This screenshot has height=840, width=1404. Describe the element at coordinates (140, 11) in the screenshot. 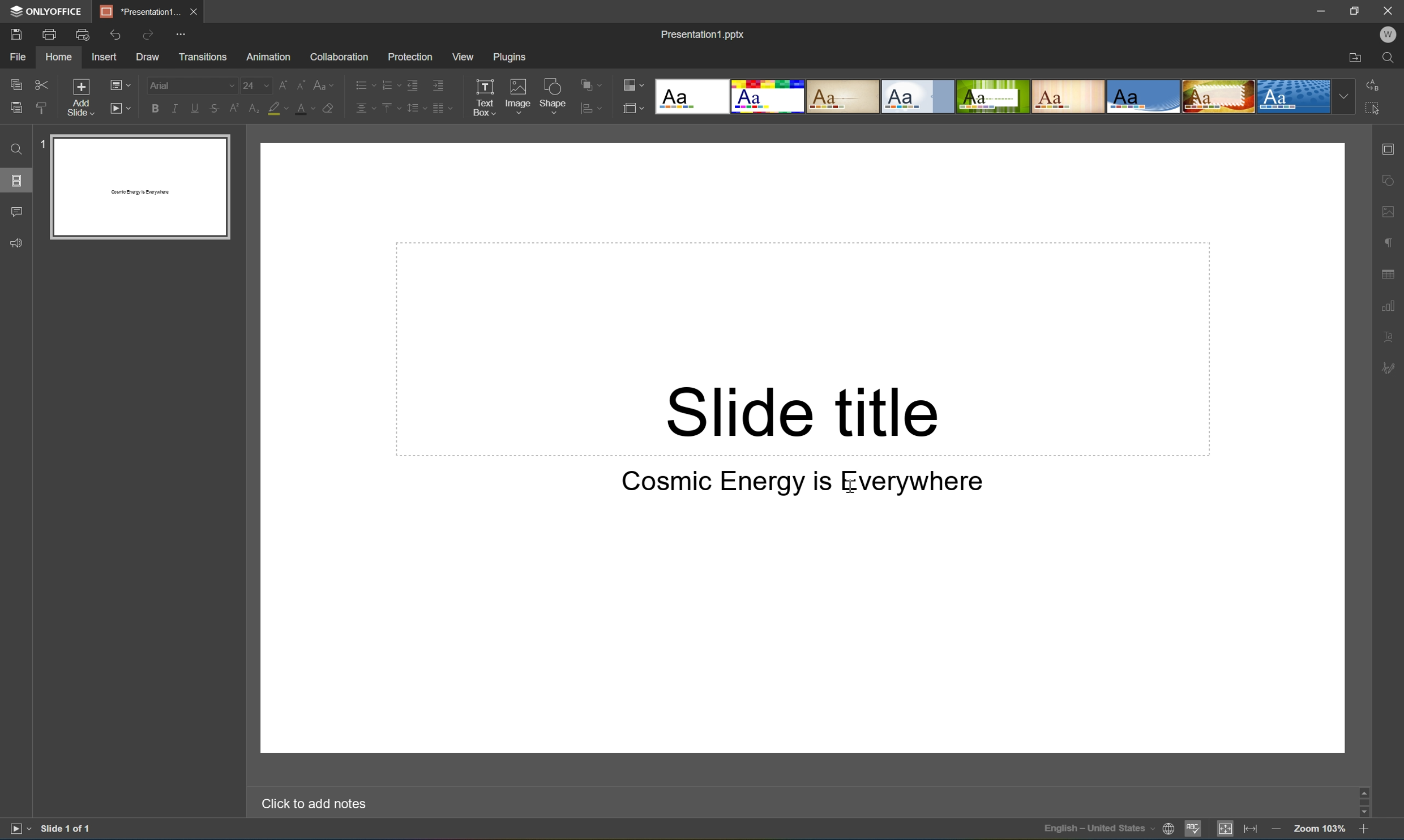

I see `*Presentation1` at that location.